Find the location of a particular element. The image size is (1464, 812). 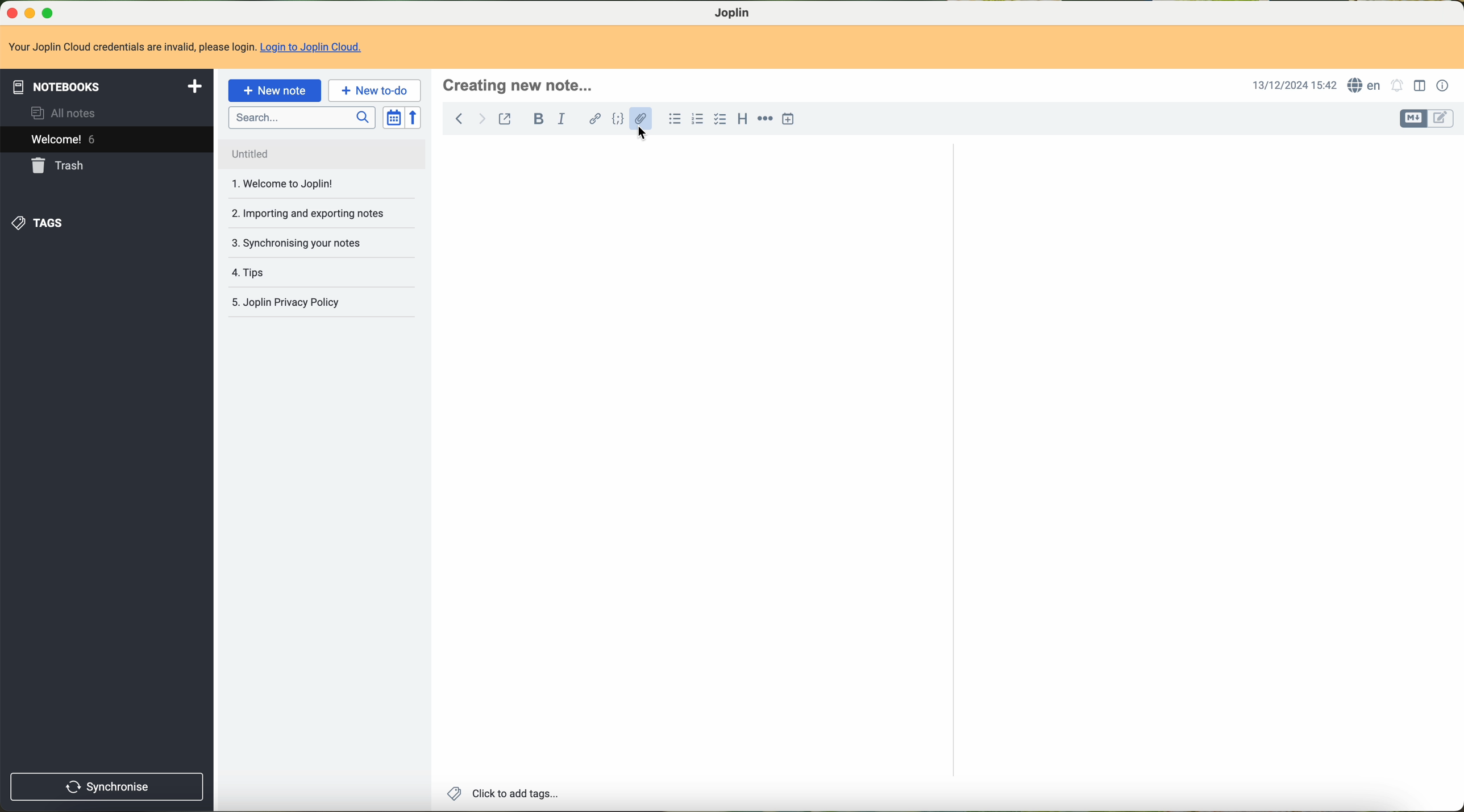

hyperlink is located at coordinates (595, 118).